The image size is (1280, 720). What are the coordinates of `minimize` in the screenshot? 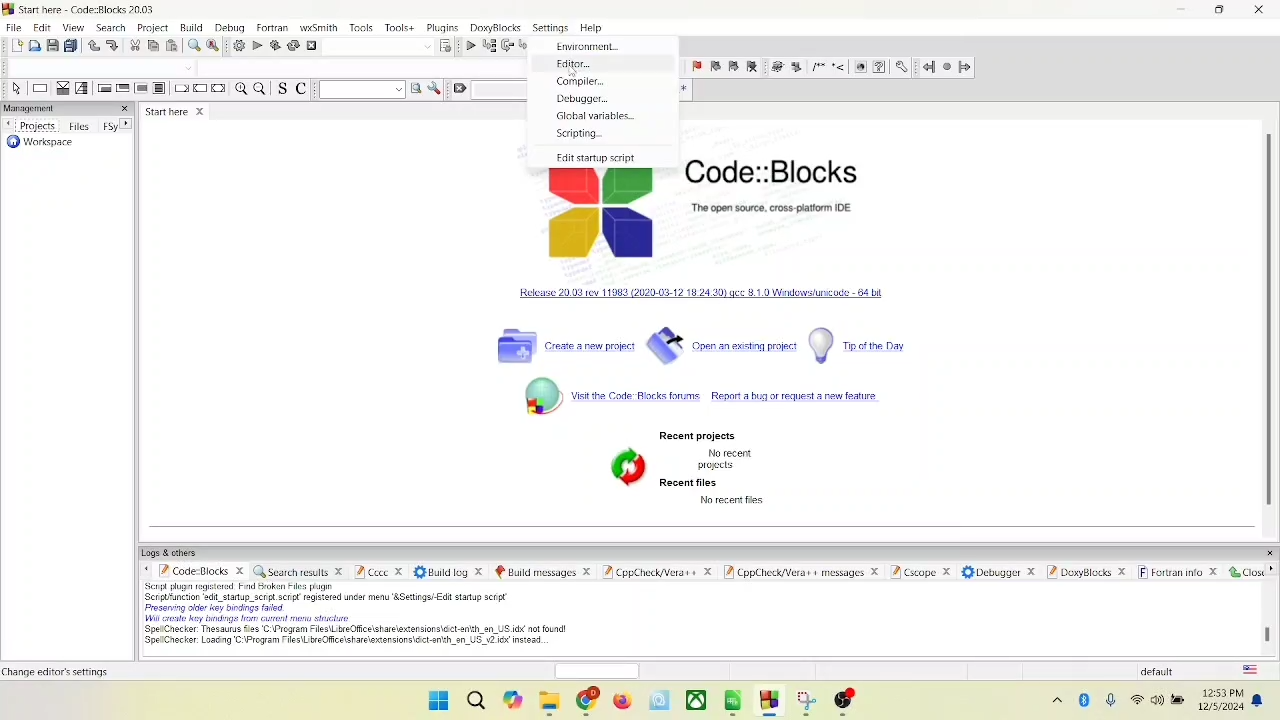 It's located at (1184, 10).